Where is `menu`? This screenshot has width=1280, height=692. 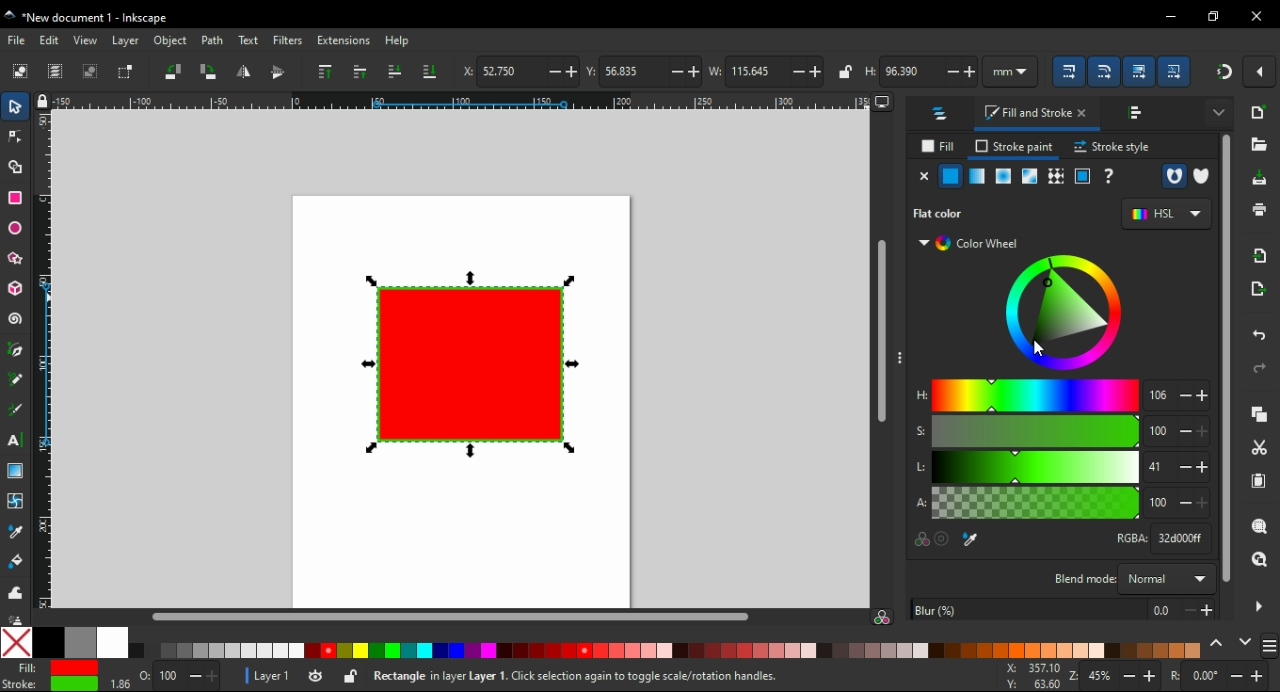 menu is located at coordinates (1270, 645).